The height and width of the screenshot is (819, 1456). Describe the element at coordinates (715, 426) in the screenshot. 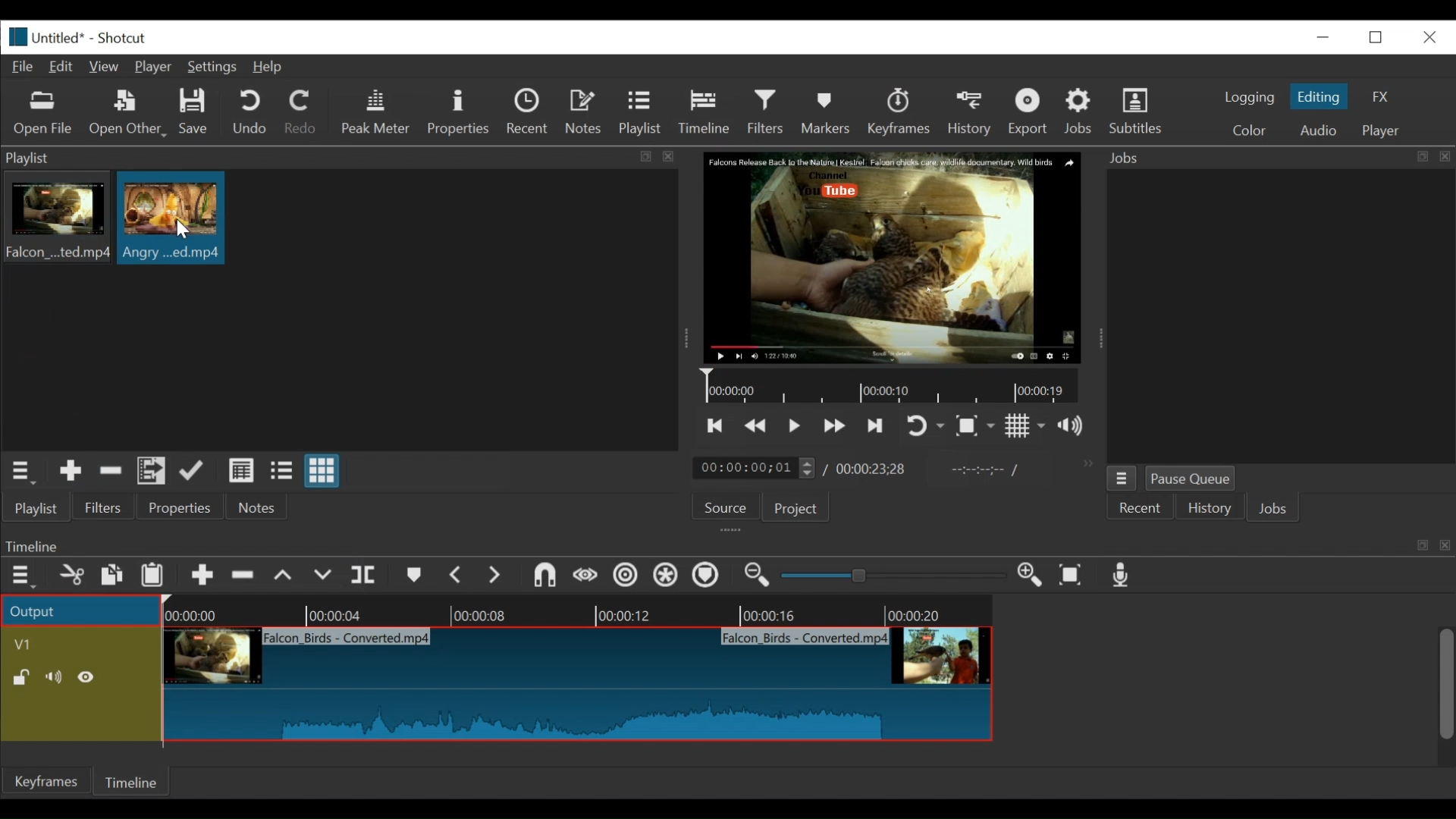

I see `skip to the previous point` at that location.